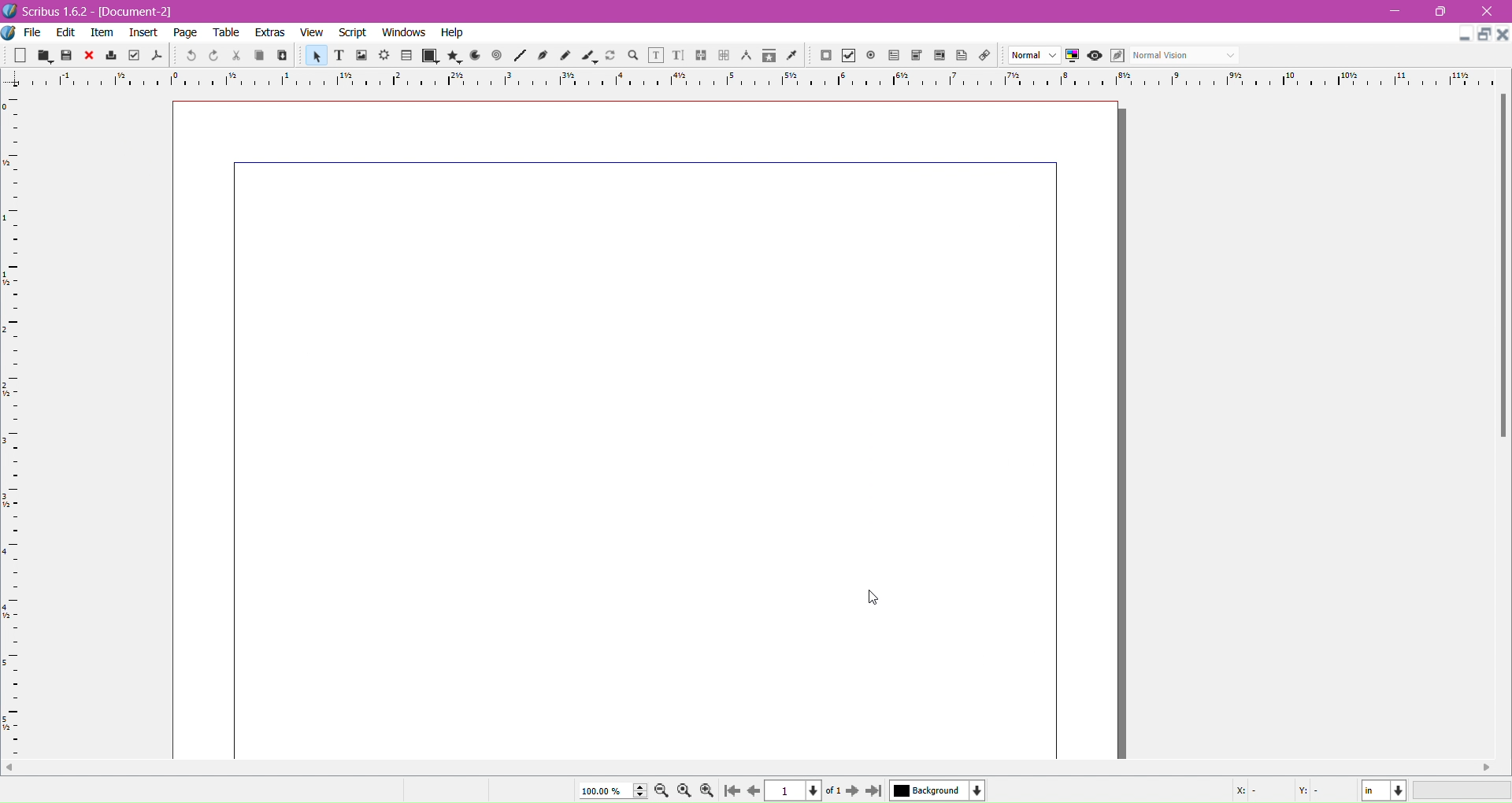  I want to click on normal, so click(1175, 54).